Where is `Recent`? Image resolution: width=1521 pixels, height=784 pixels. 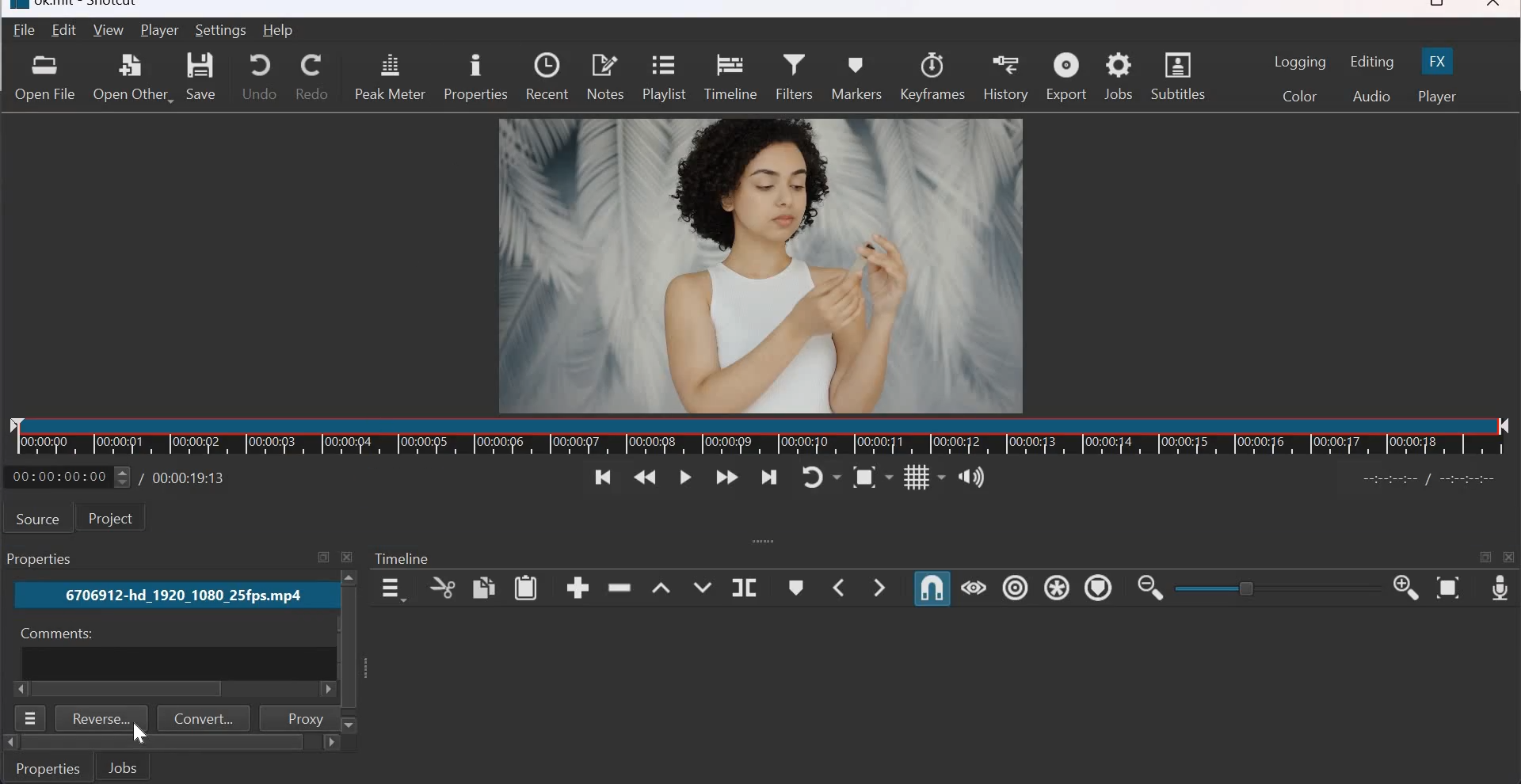 Recent is located at coordinates (547, 77).